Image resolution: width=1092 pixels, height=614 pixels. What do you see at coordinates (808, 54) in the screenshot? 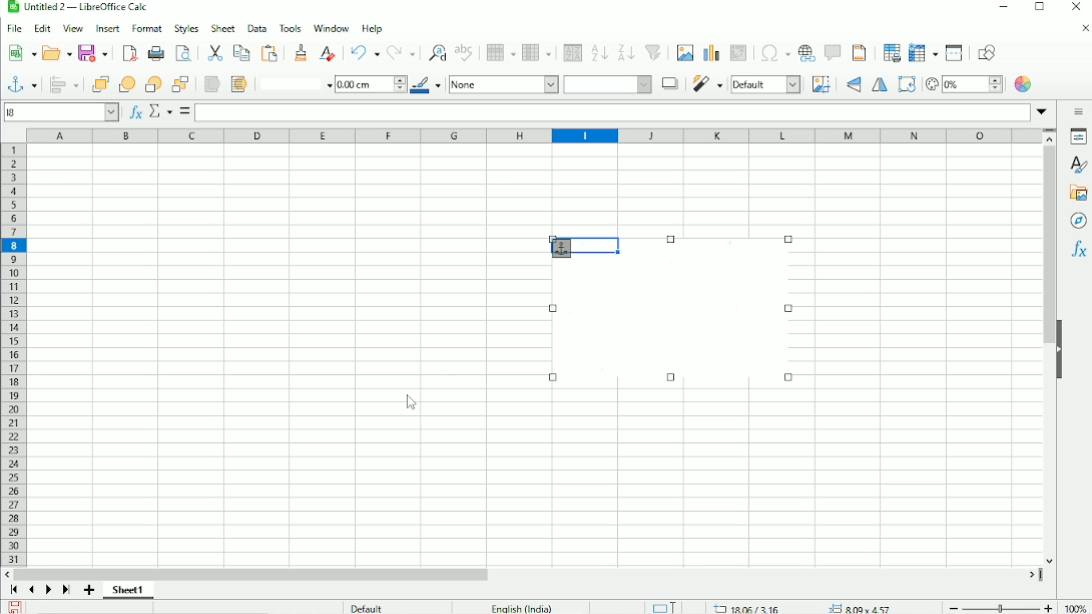
I see `Insert hyperlink` at bounding box center [808, 54].